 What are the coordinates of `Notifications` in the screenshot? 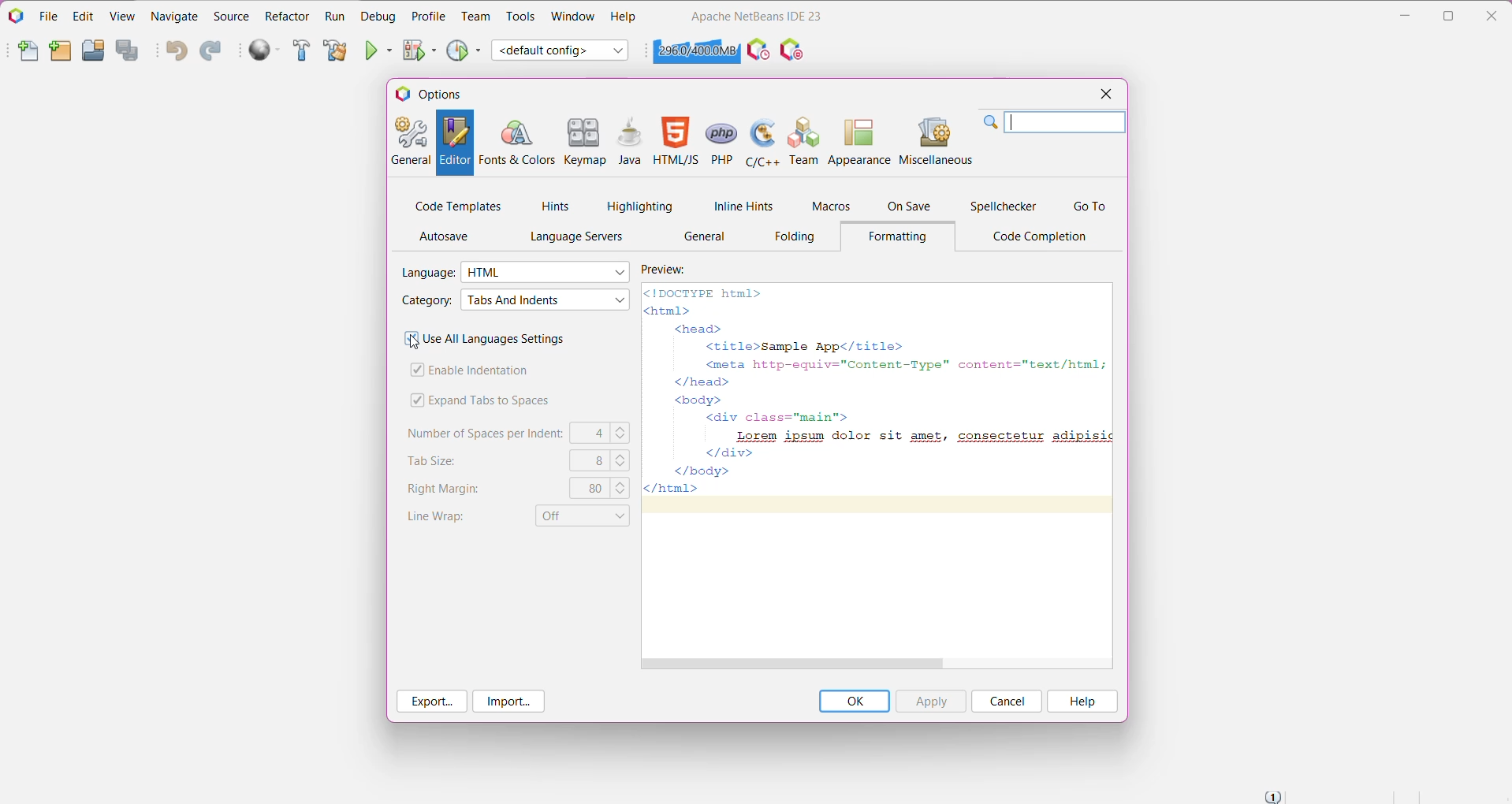 It's located at (1272, 796).